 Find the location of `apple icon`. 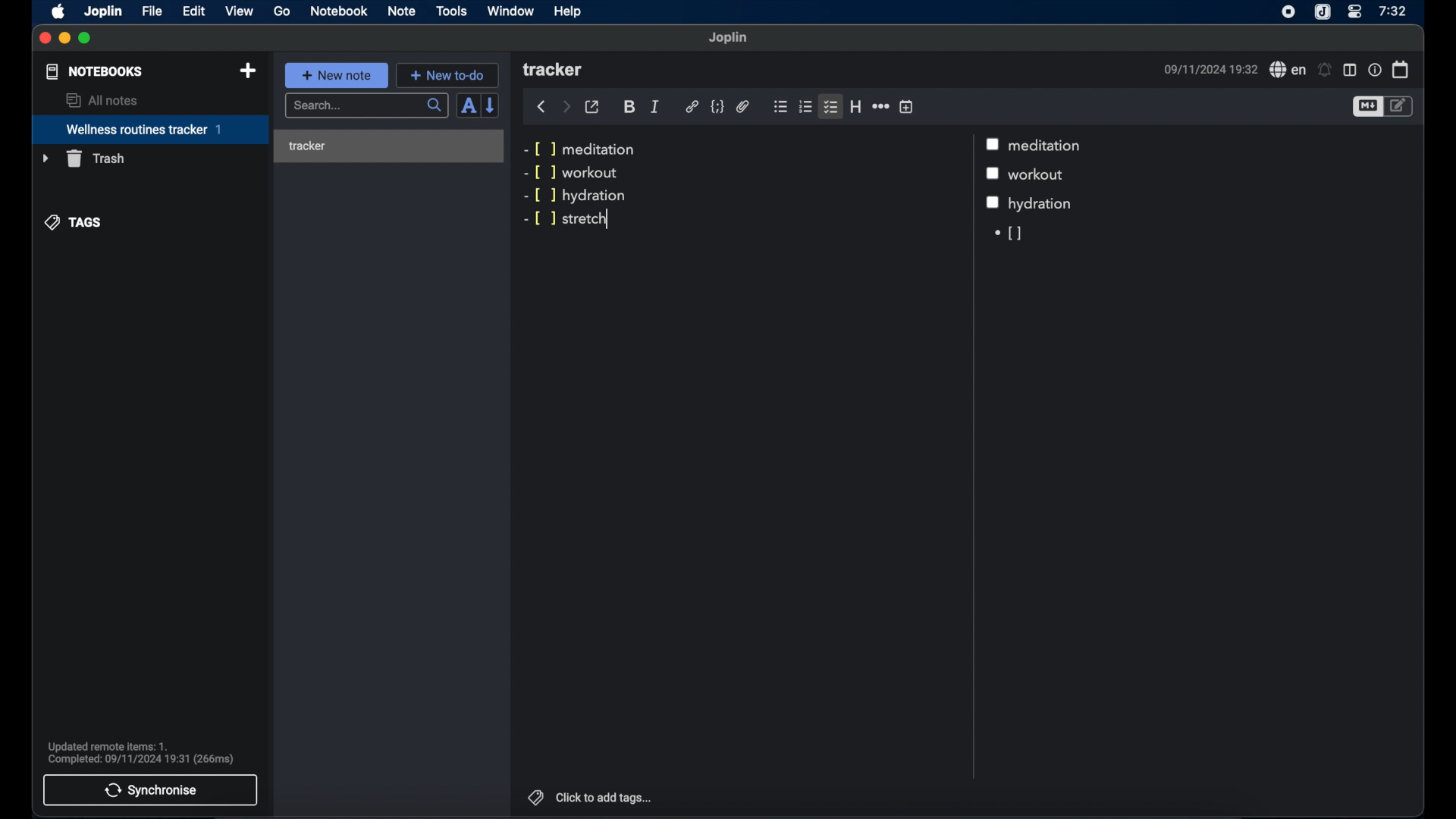

apple icon is located at coordinates (59, 12).